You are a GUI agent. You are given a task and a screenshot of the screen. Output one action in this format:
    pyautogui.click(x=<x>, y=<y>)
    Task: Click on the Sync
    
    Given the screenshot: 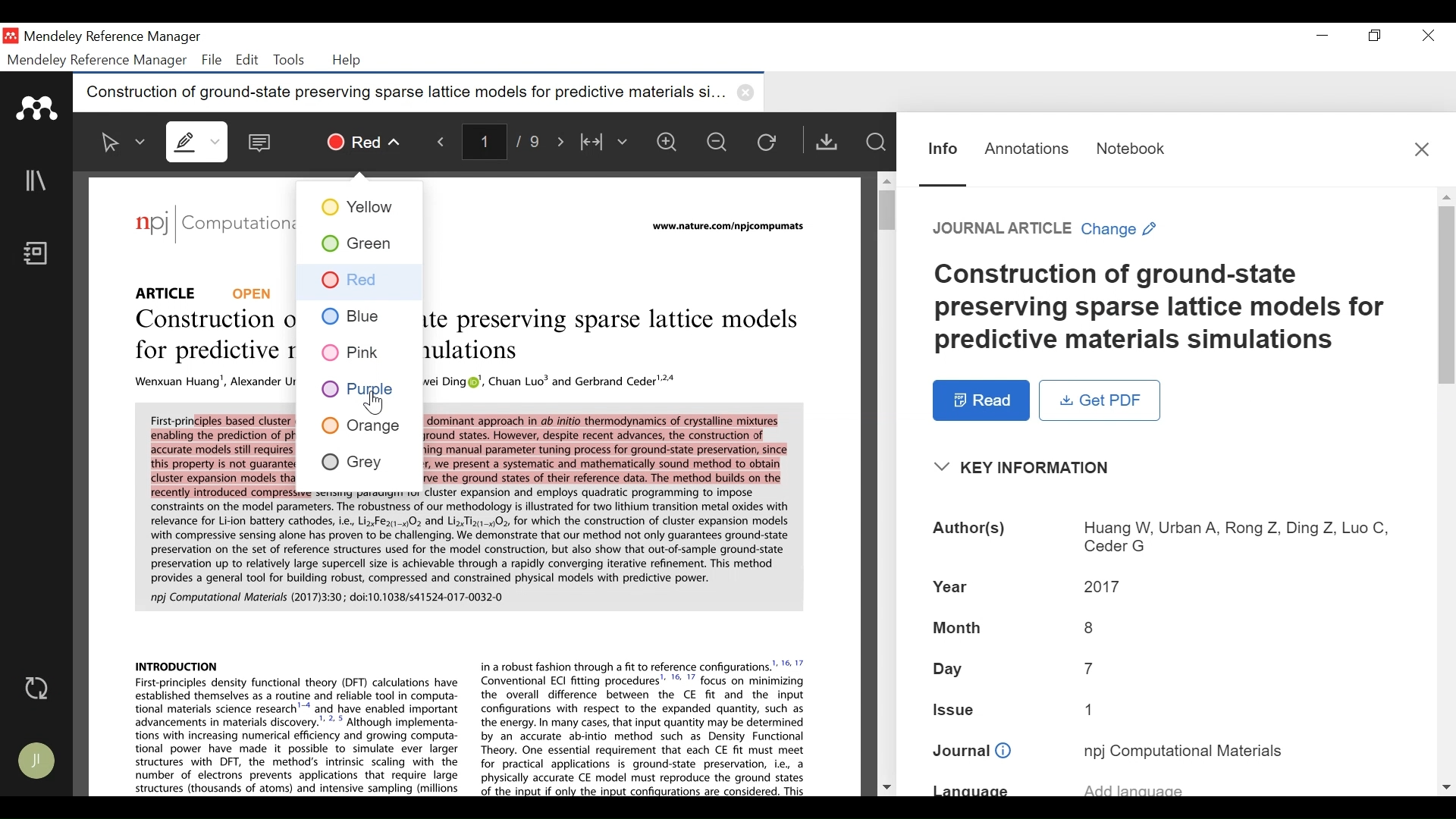 What is the action you would take?
    pyautogui.click(x=39, y=689)
    